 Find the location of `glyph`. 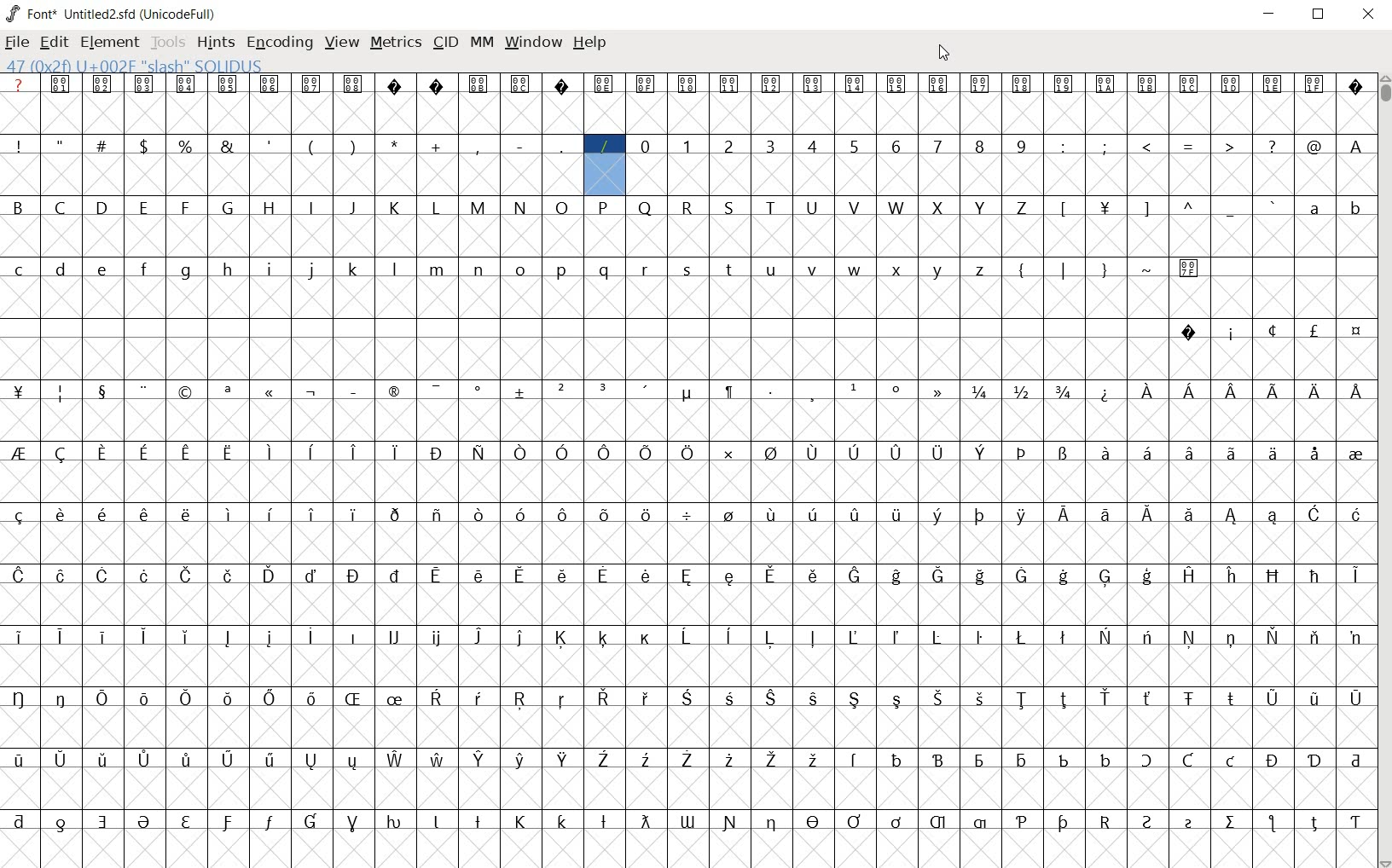

glyph is located at coordinates (1229, 145).